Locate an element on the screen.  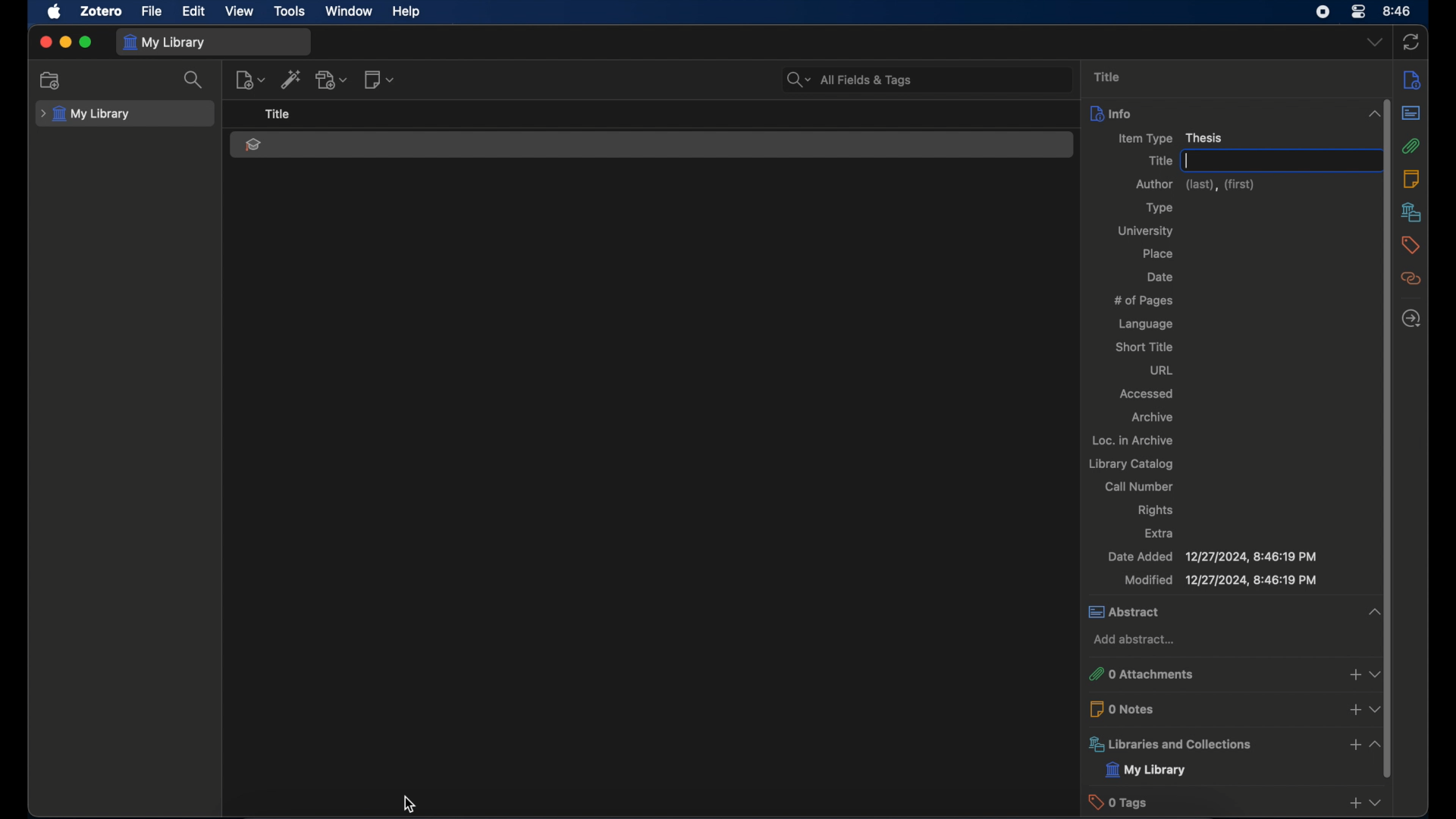
minimize is located at coordinates (65, 42).